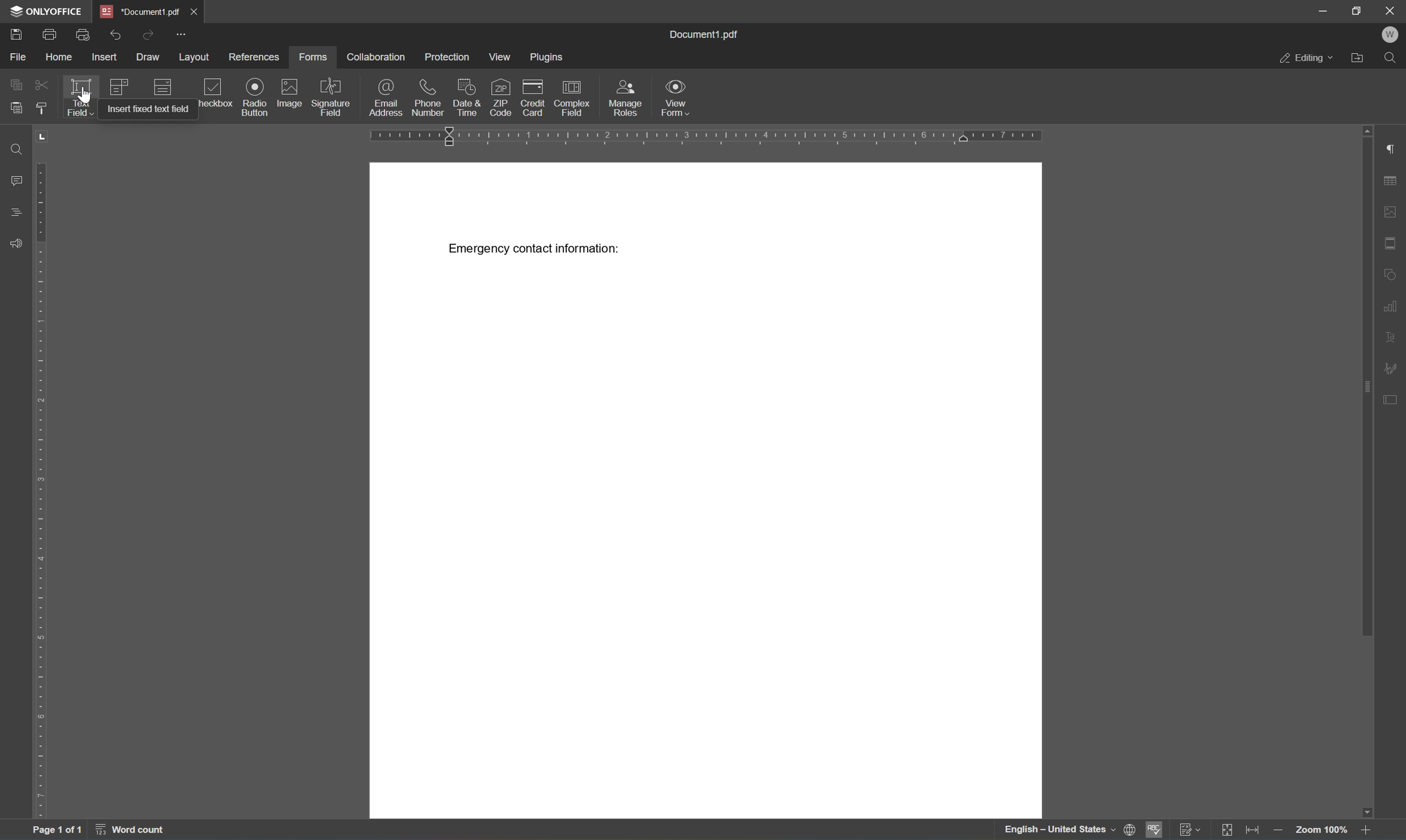  Describe the element at coordinates (19, 32) in the screenshot. I see `save` at that location.